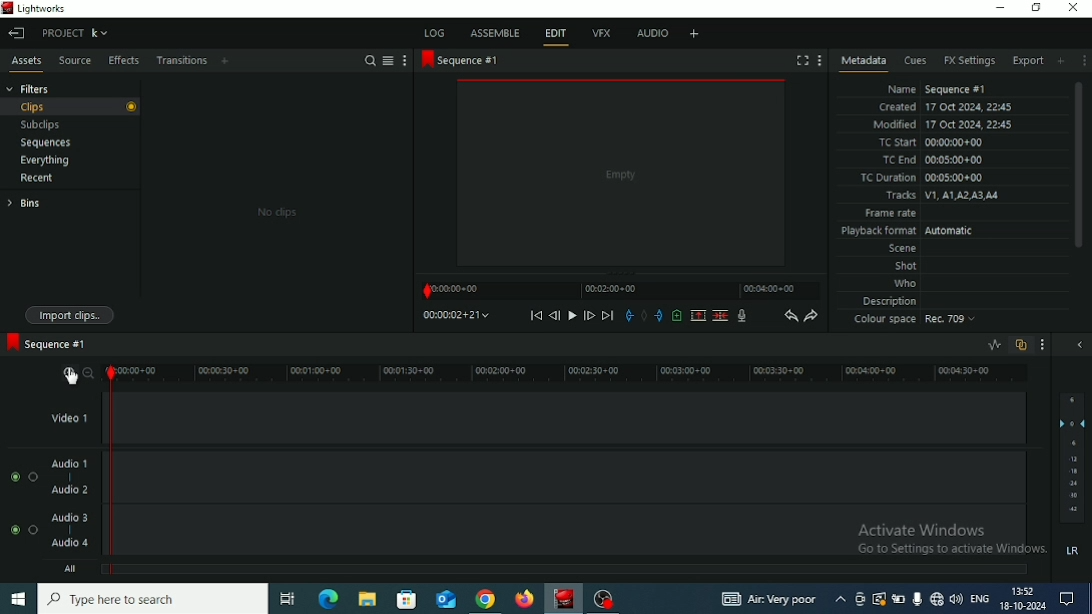  What do you see at coordinates (949, 534) in the screenshot?
I see `Activate Windows Go to settings to activate windows` at bounding box center [949, 534].